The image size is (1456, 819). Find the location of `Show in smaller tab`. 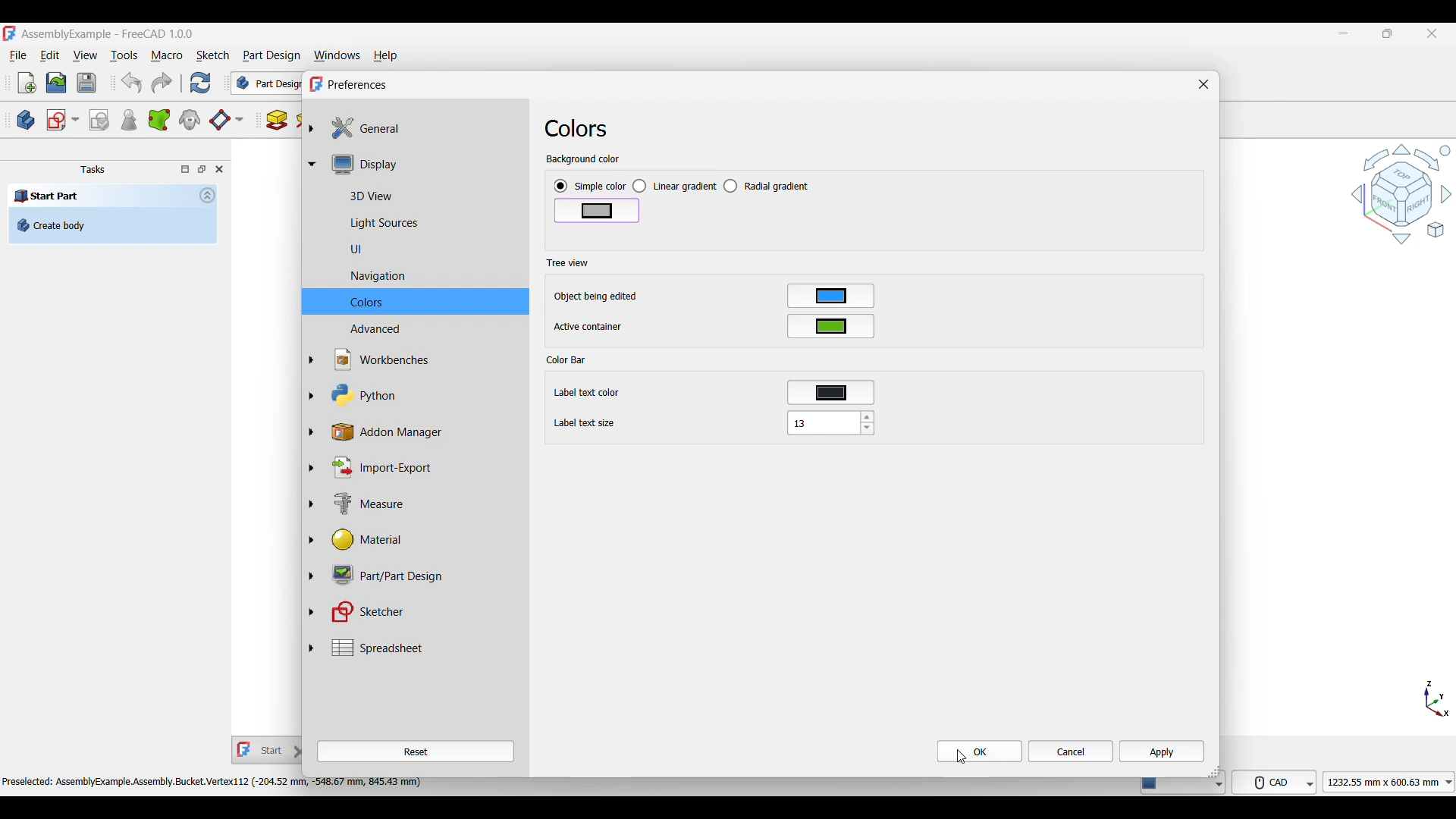

Show in smaller tab is located at coordinates (1388, 33).